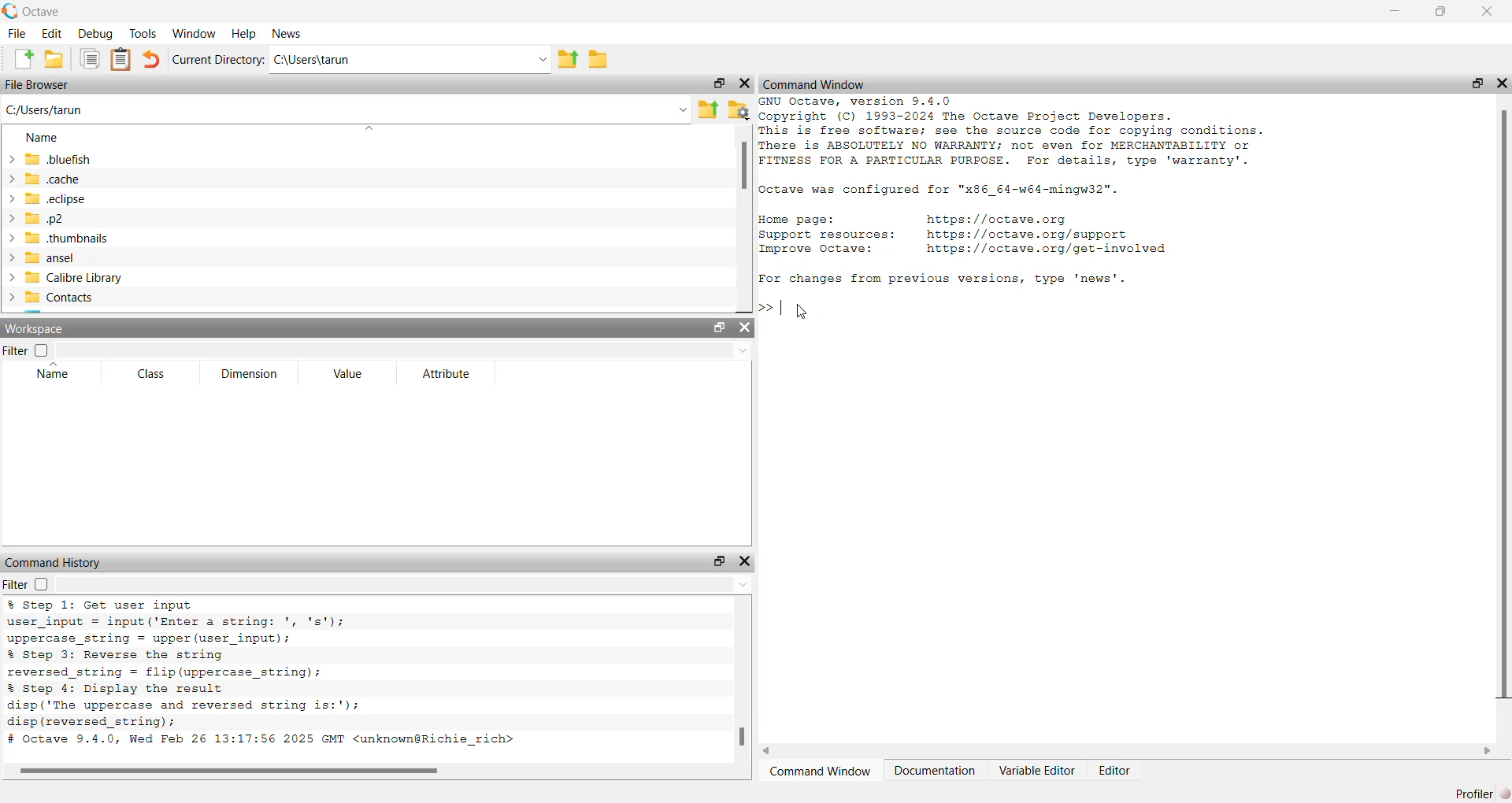 The image size is (1512, 803). I want to click on paste, so click(121, 60).